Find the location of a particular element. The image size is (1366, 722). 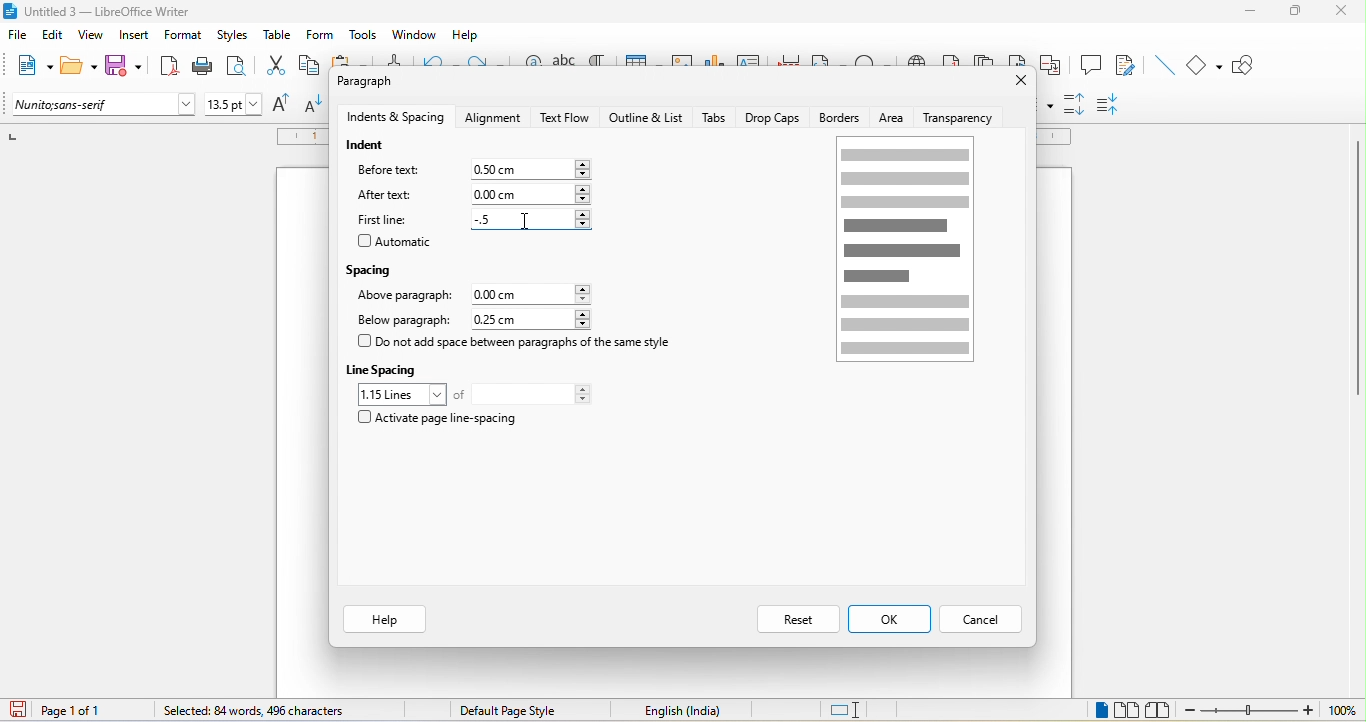

automatic is located at coordinates (406, 244).